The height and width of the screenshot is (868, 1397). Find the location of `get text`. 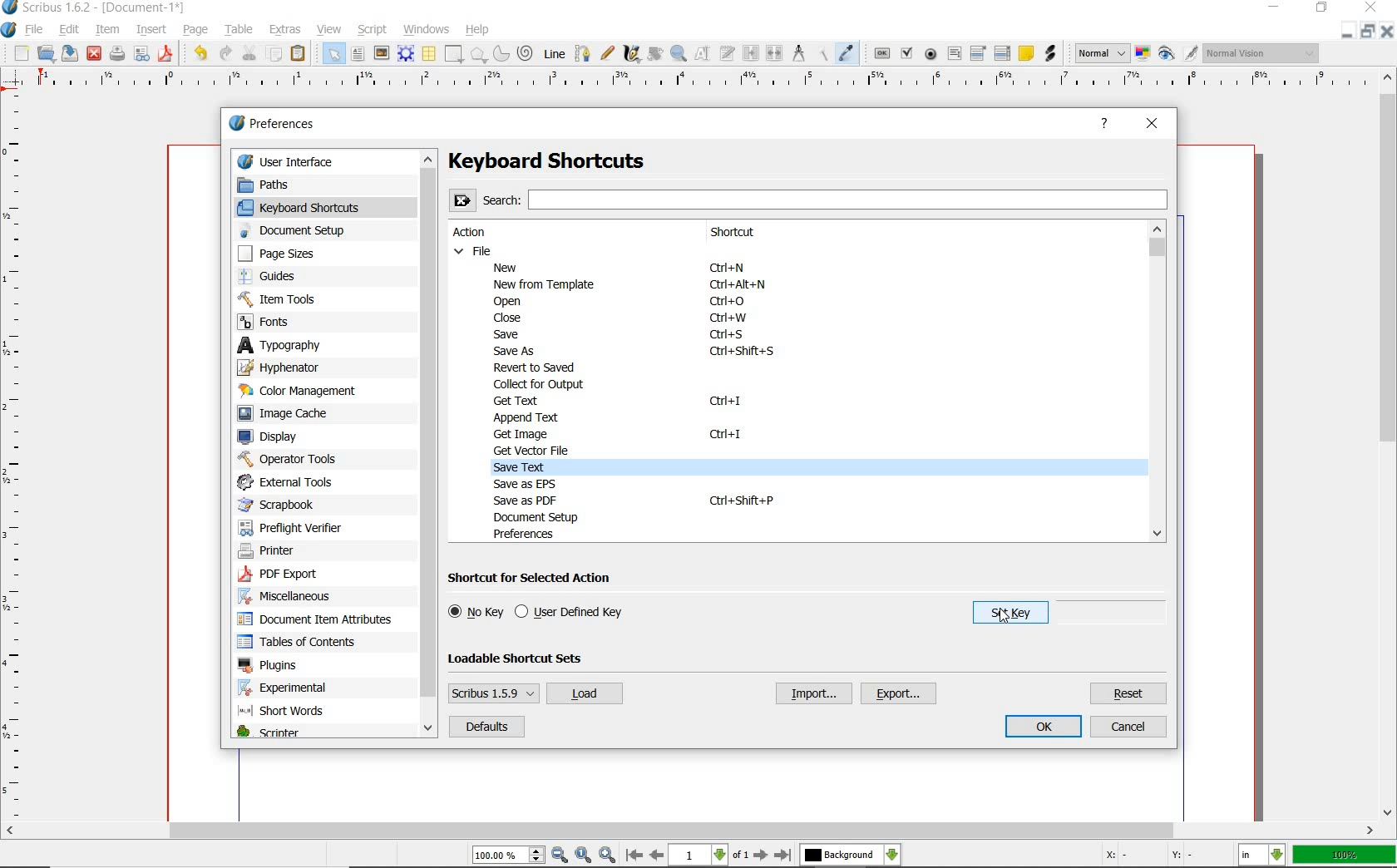

get text is located at coordinates (519, 401).